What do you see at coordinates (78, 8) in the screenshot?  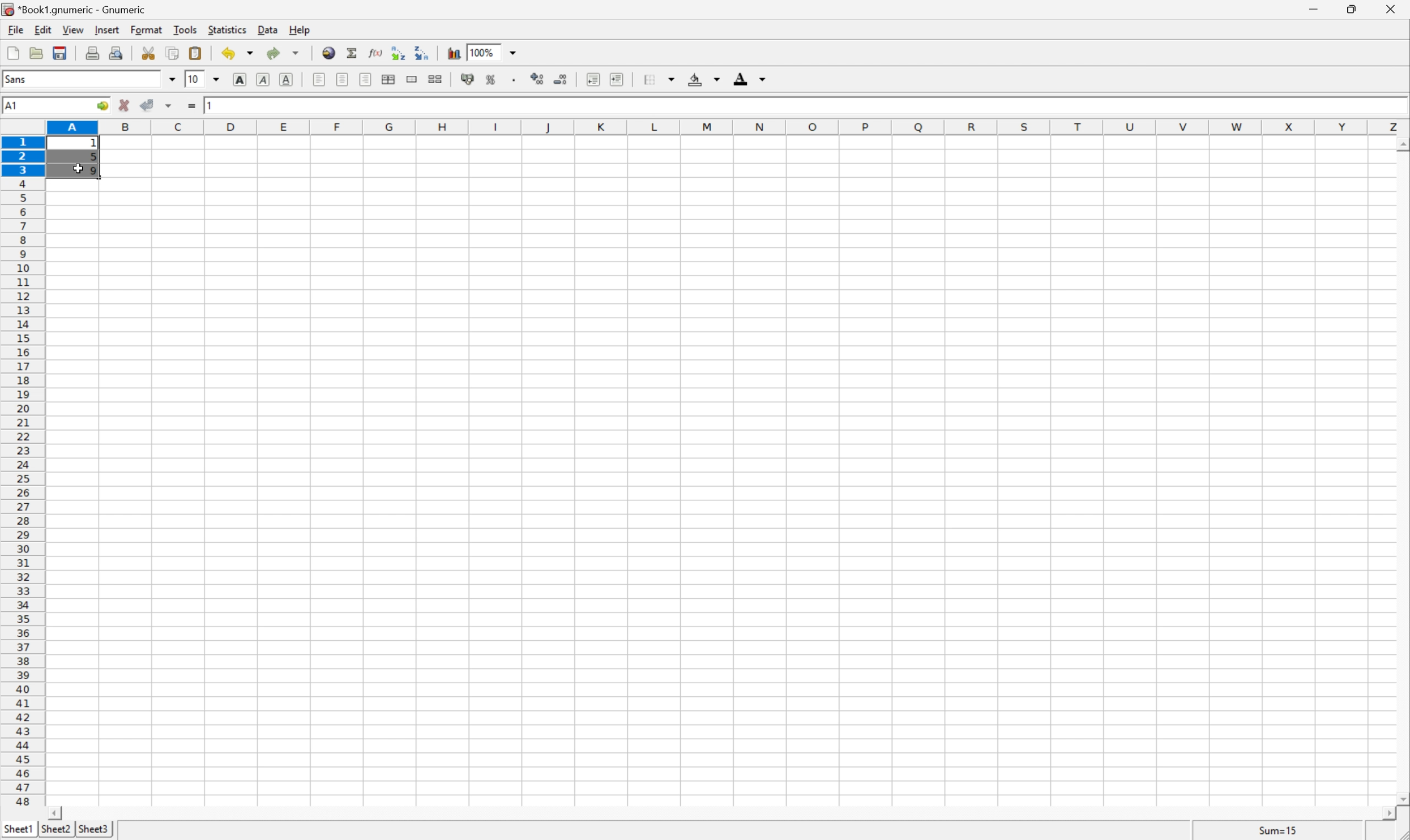 I see `application name` at bounding box center [78, 8].